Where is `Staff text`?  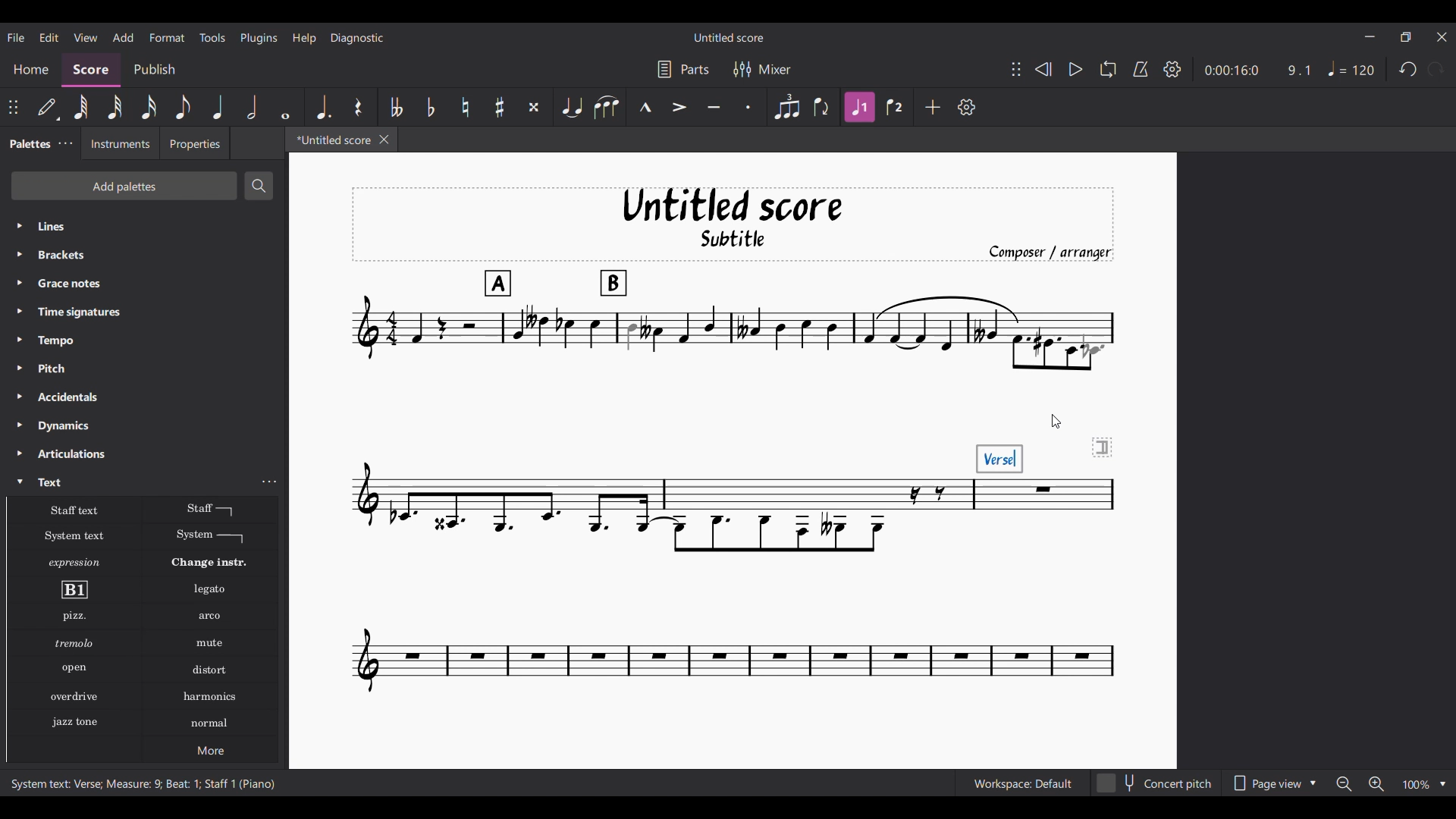
Staff text is located at coordinates (75, 509).